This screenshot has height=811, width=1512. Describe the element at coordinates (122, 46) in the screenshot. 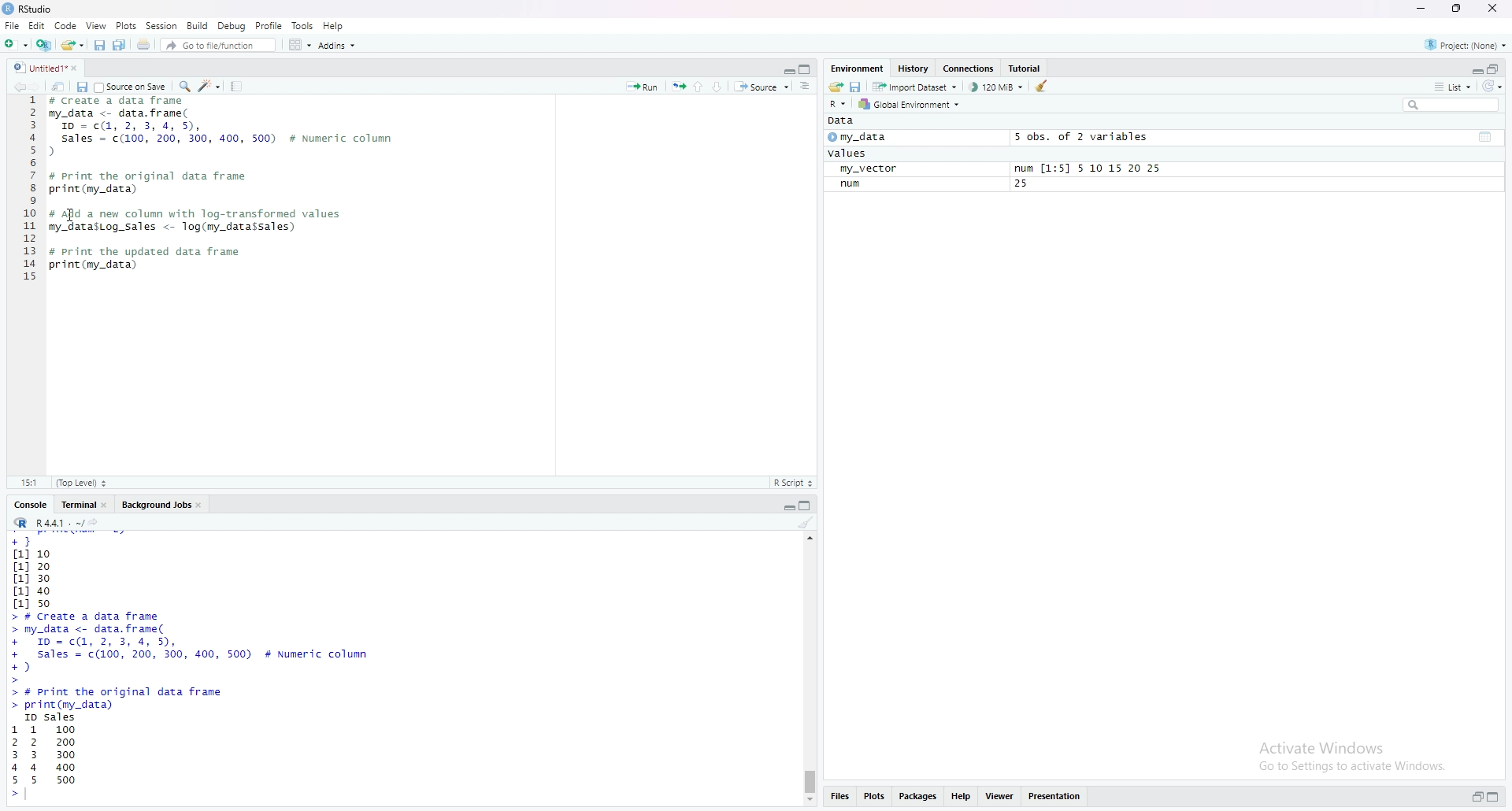

I see `save all open documents` at that location.